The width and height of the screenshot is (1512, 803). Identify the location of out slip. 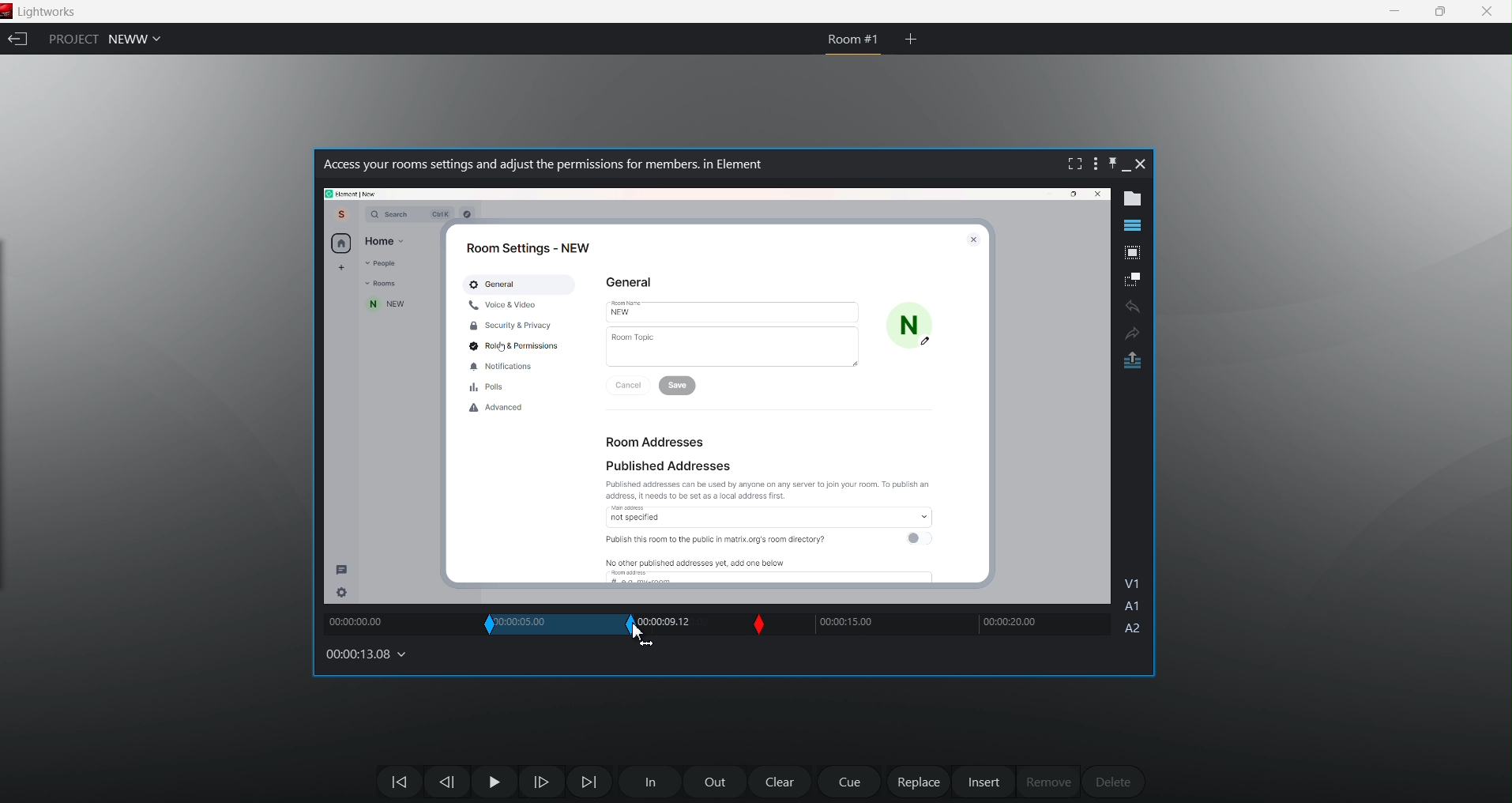
(631, 625).